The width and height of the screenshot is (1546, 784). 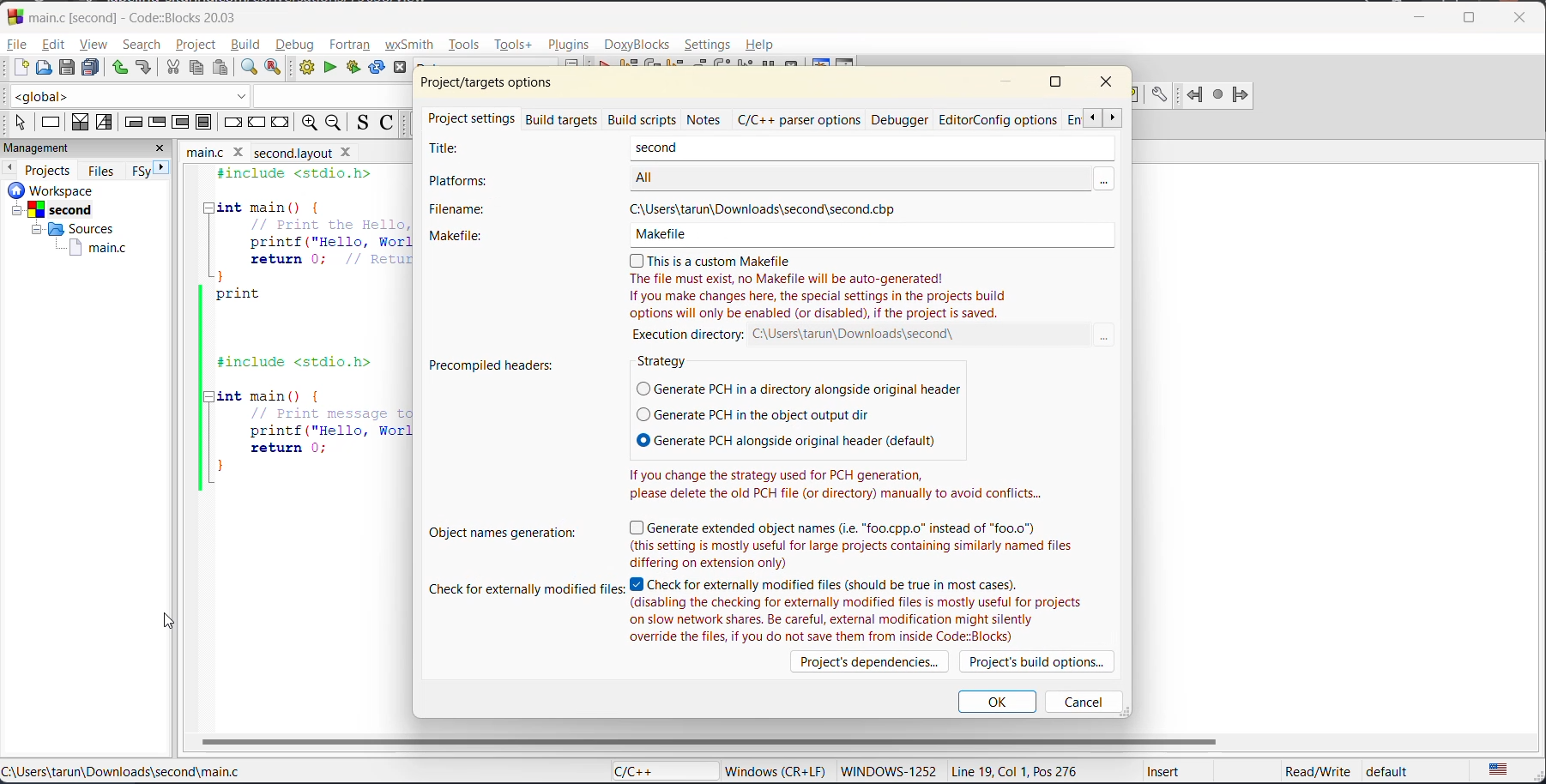 What do you see at coordinates (1090, 120) in the screenshot?
I see `scroll back` at bounding box center [1090, 120].